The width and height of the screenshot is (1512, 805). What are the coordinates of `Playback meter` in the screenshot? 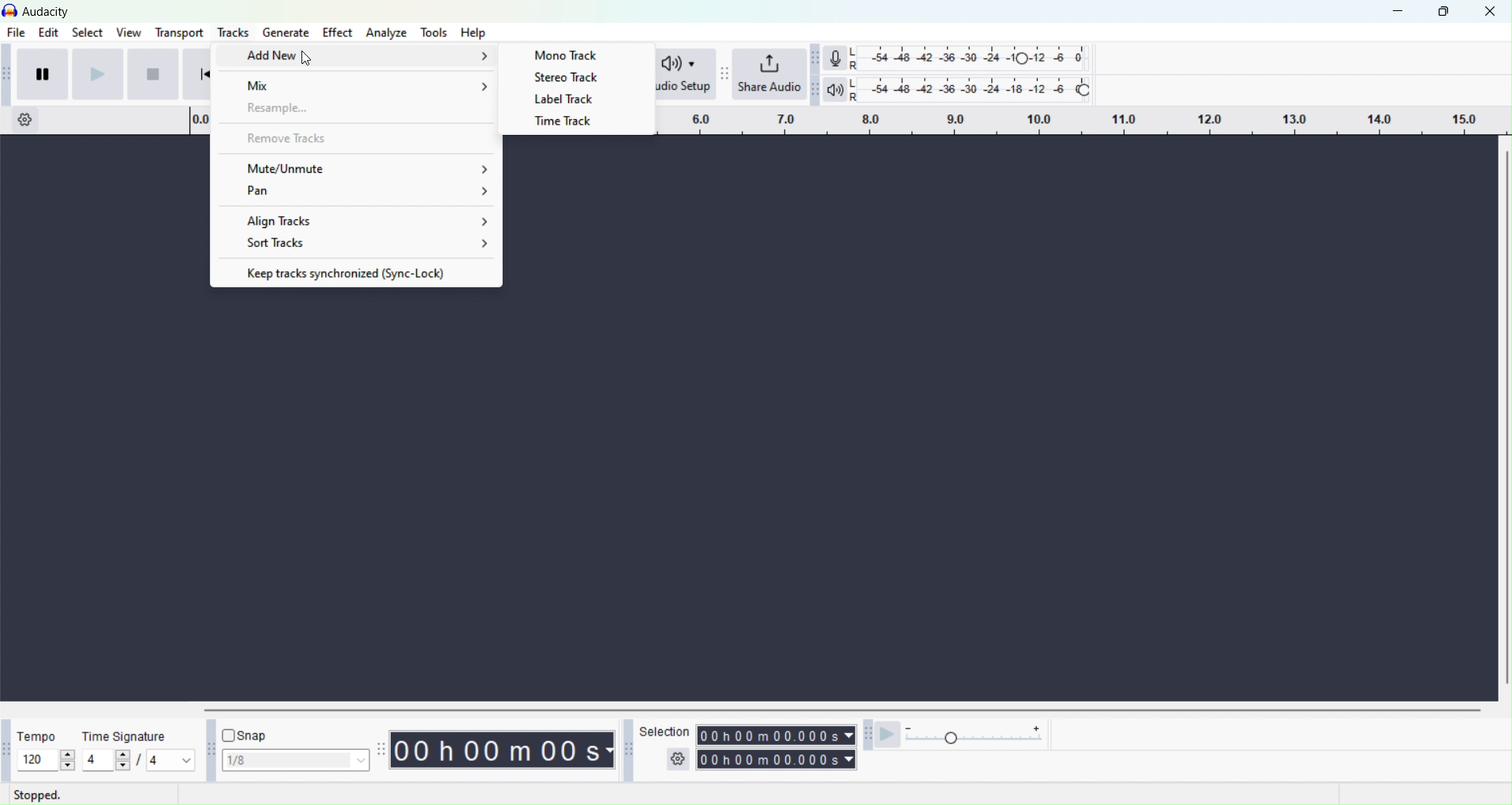 It's located at (836, 89).